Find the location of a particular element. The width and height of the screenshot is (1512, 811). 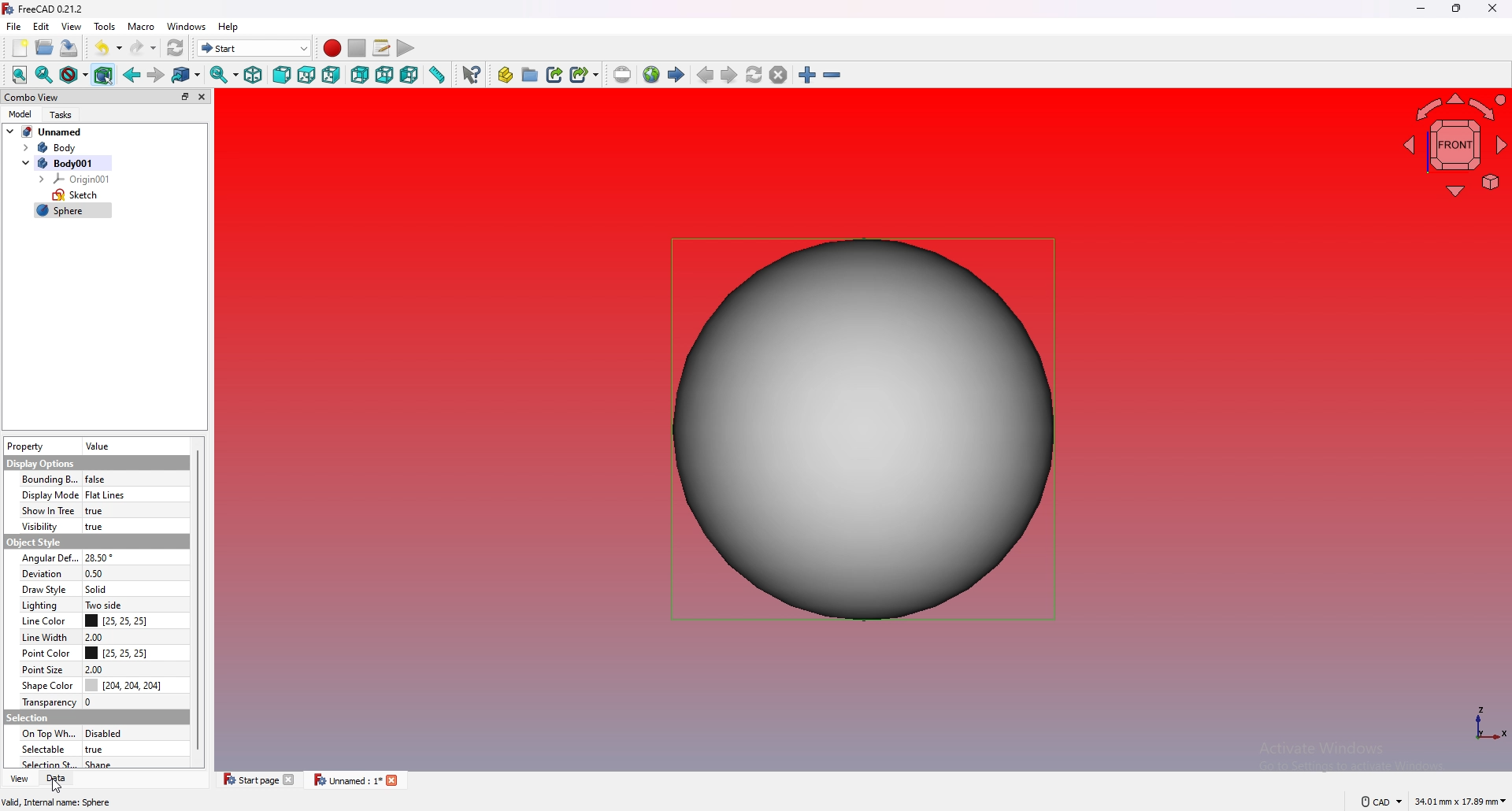

zoom in is located at coordinates (807, 75).